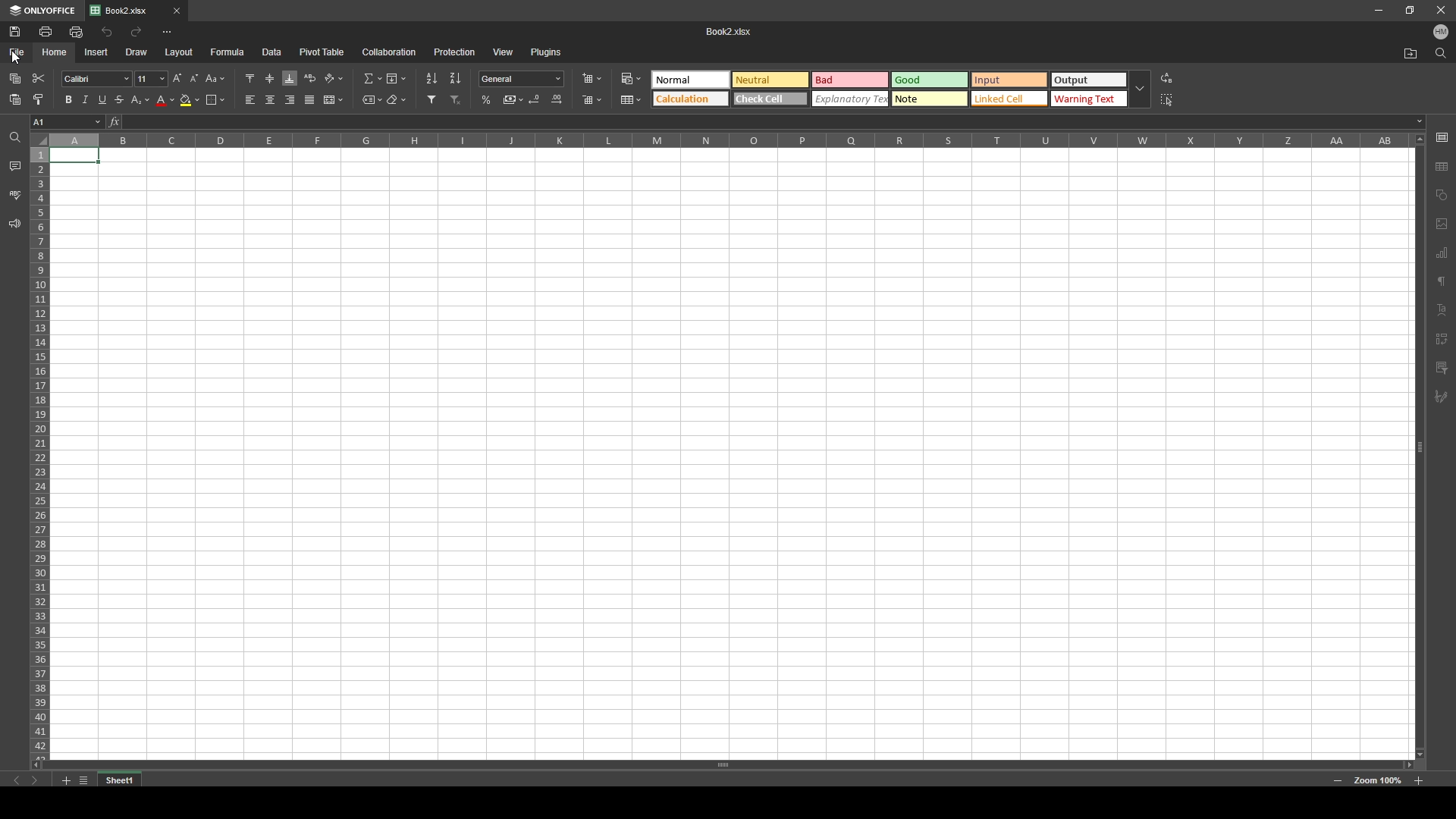  Describe the element at coordinates (372, 99) in the screenshot. I see `named ranges` at that location.